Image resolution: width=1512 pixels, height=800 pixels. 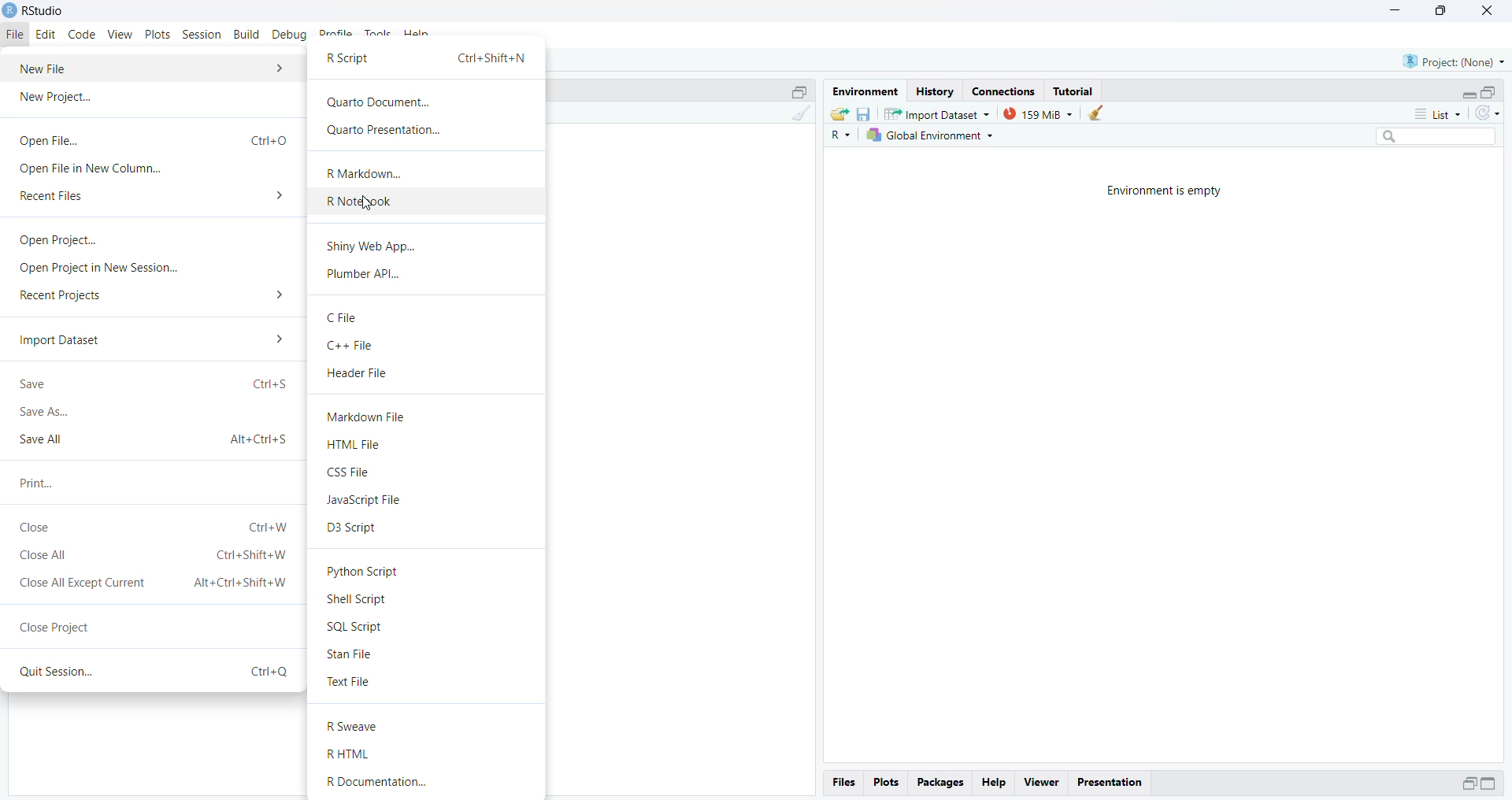 What do you see at coordinates (46, 413) in the screenshot?
I see `Save As...` at bounding box center [46, 413].